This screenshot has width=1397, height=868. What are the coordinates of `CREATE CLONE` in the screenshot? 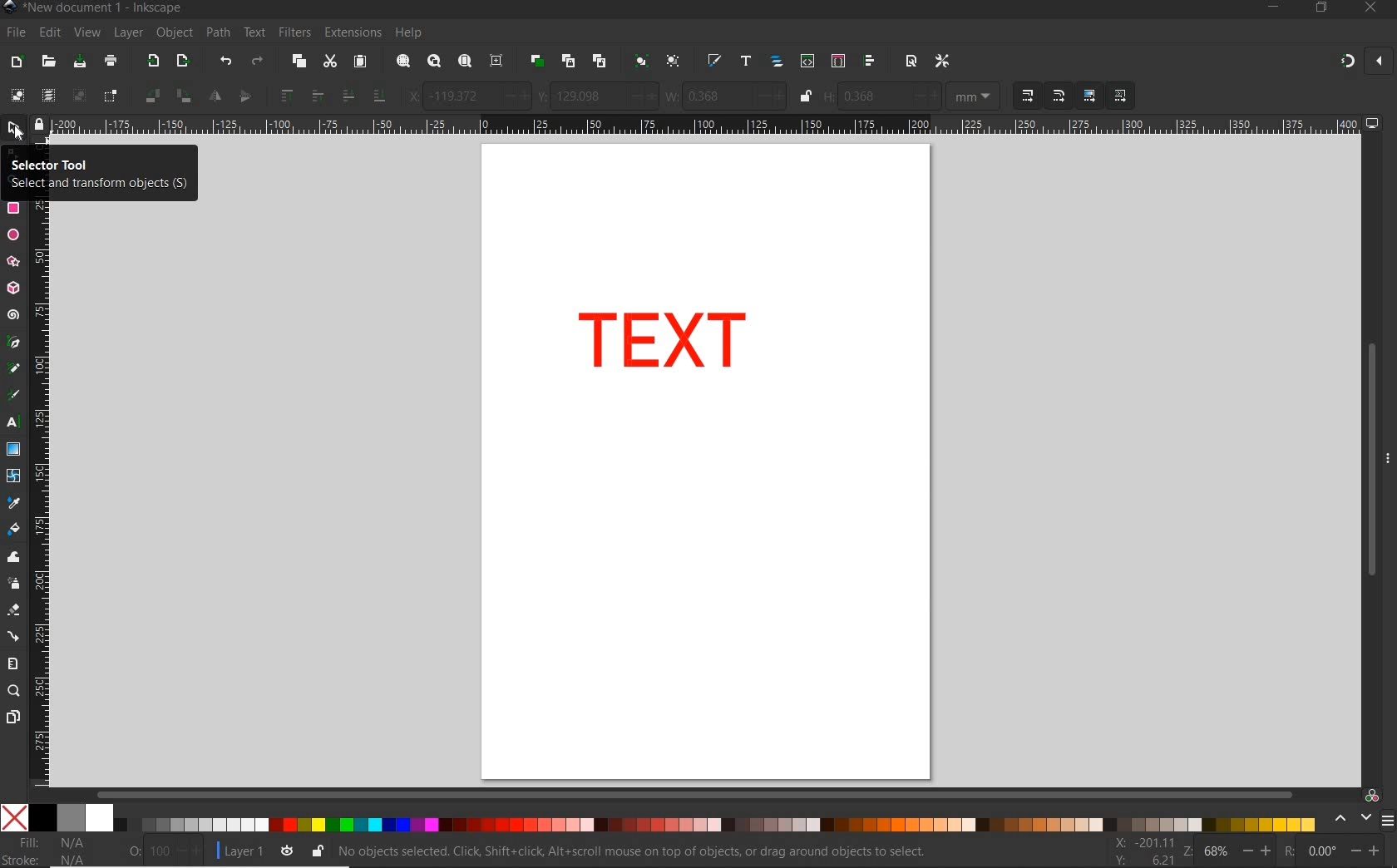 It's located at (568, 60).